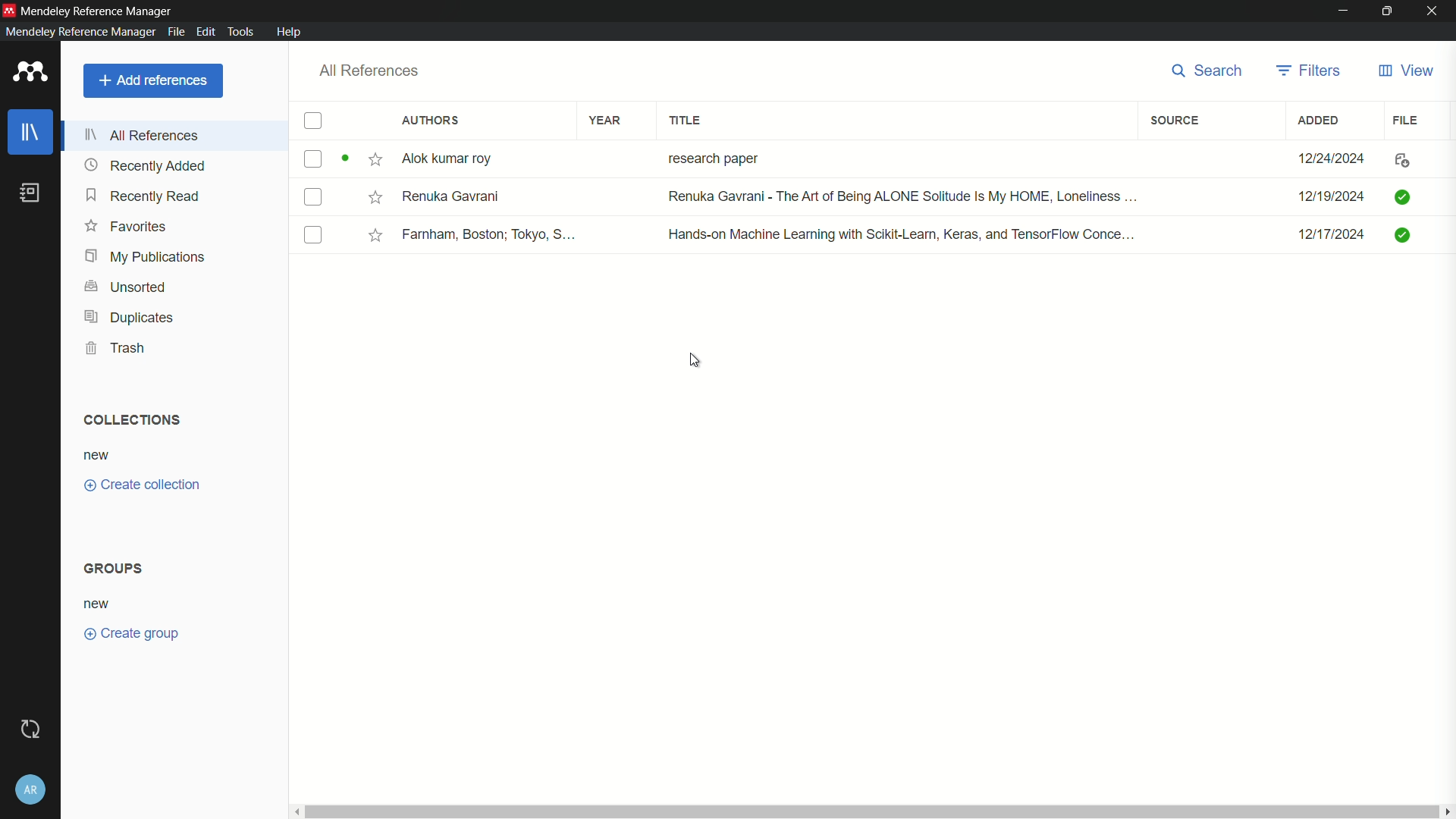 This screenshot has width=1456, height=819. What do you see at coordinates (142, 485) in the screenshot?
I see `create collection` at bounding box center [142, 485].